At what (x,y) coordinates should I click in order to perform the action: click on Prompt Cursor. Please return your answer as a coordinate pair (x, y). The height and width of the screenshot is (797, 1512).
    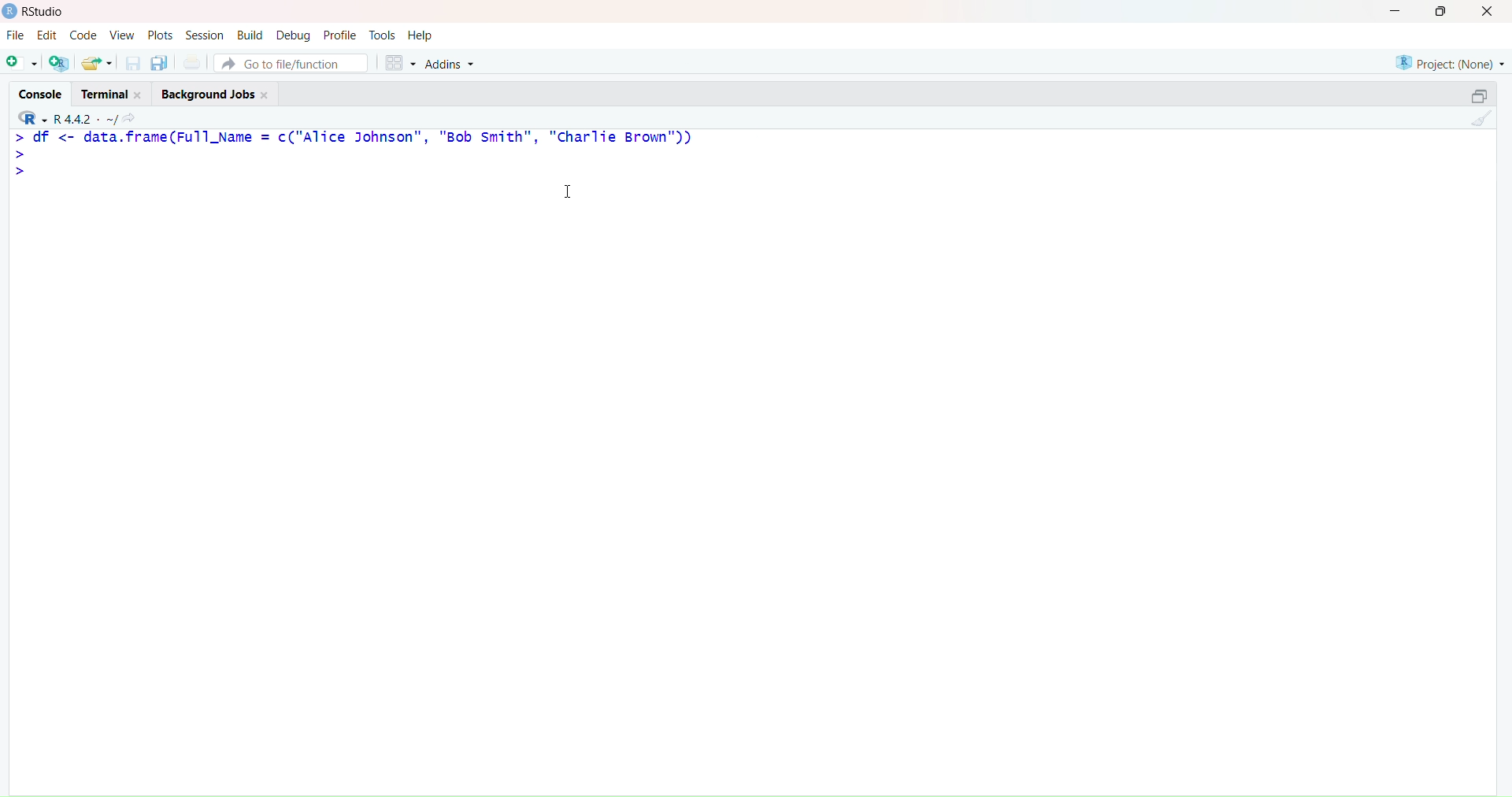
    Looking at the image, I should click on (21, 173).